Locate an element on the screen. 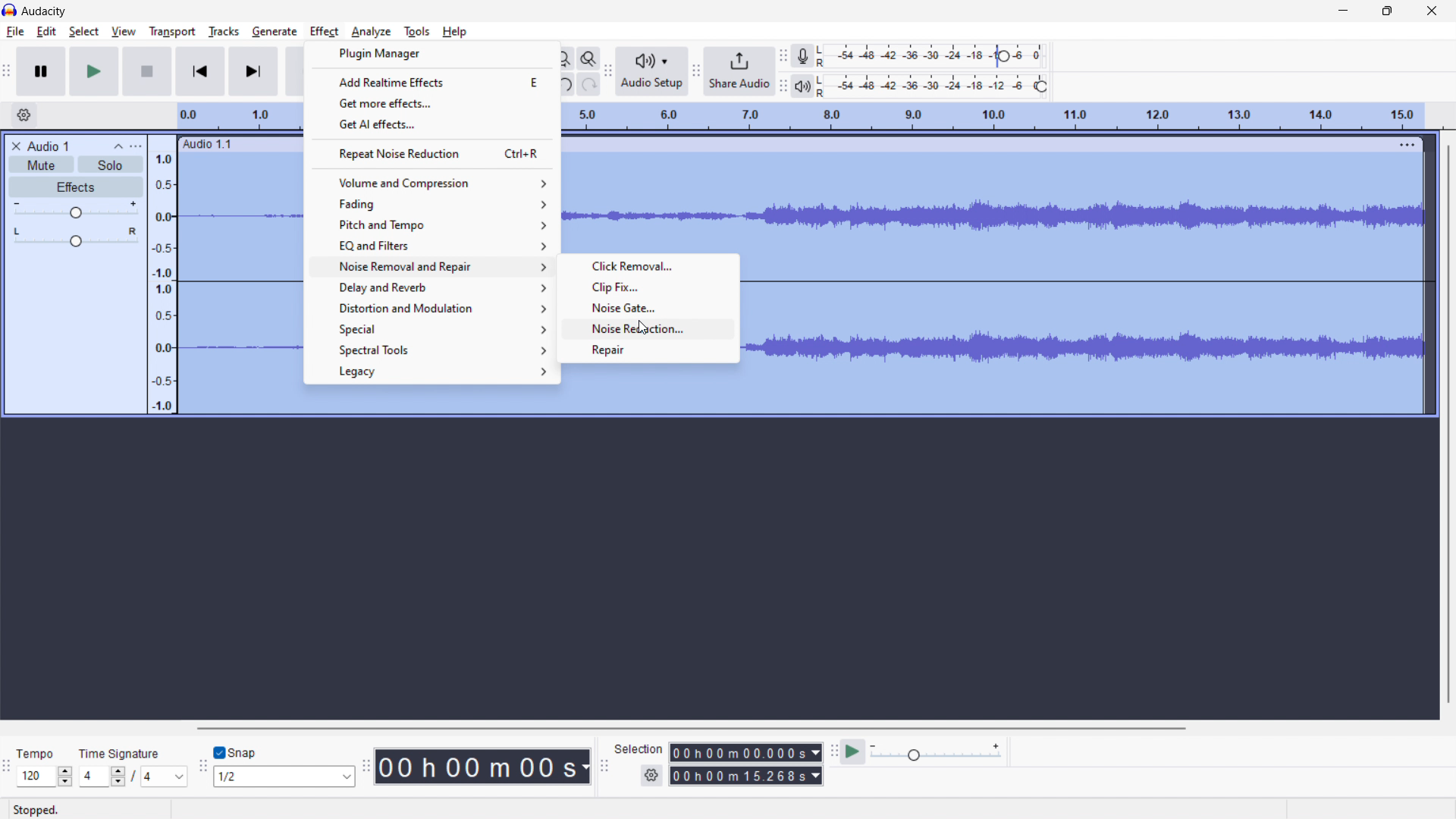  volume is located at coordinates (76, 209).